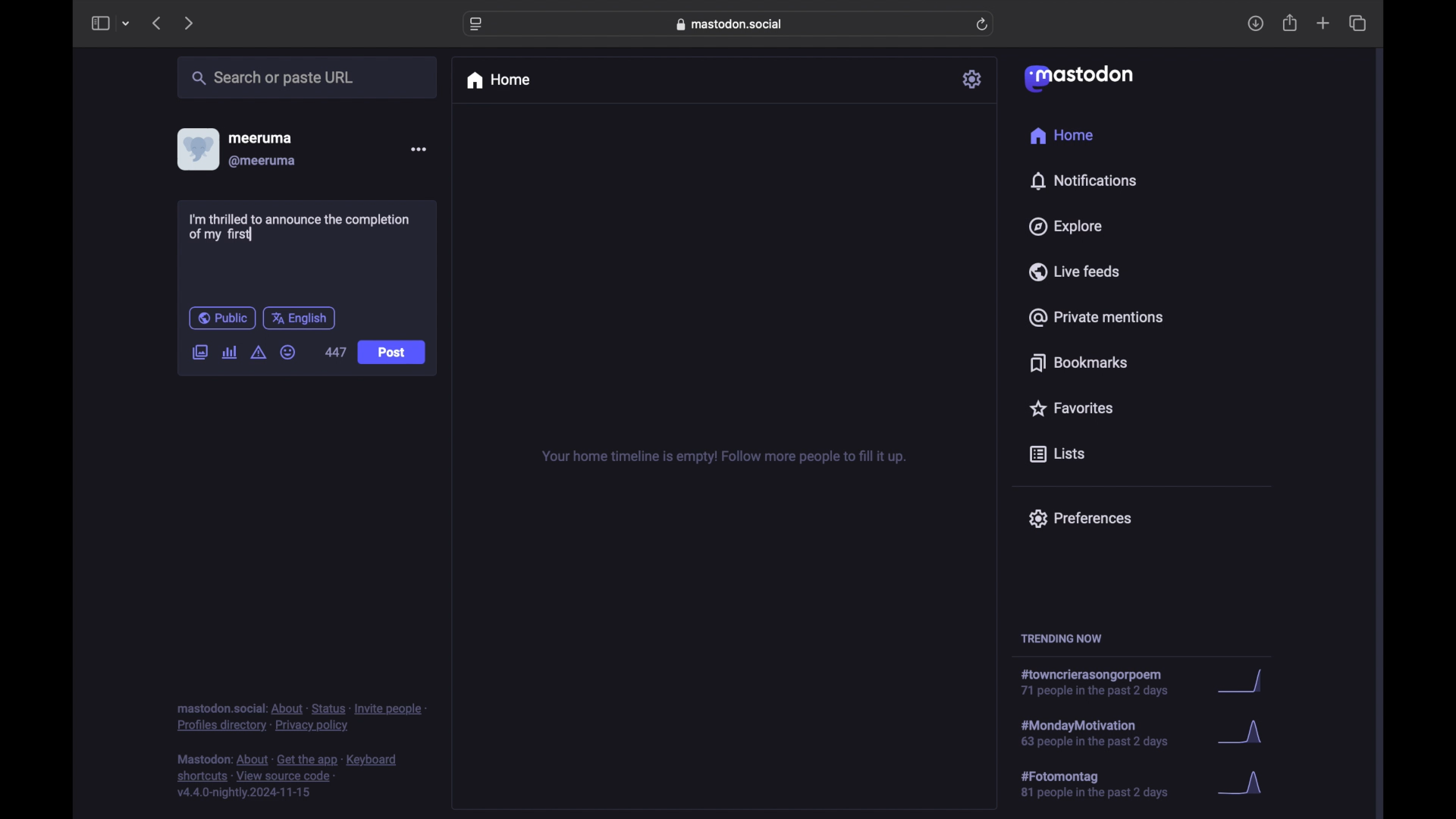  Describe the element at coordinates (982, 24) in the screenshot. I see `refresh` at that location.